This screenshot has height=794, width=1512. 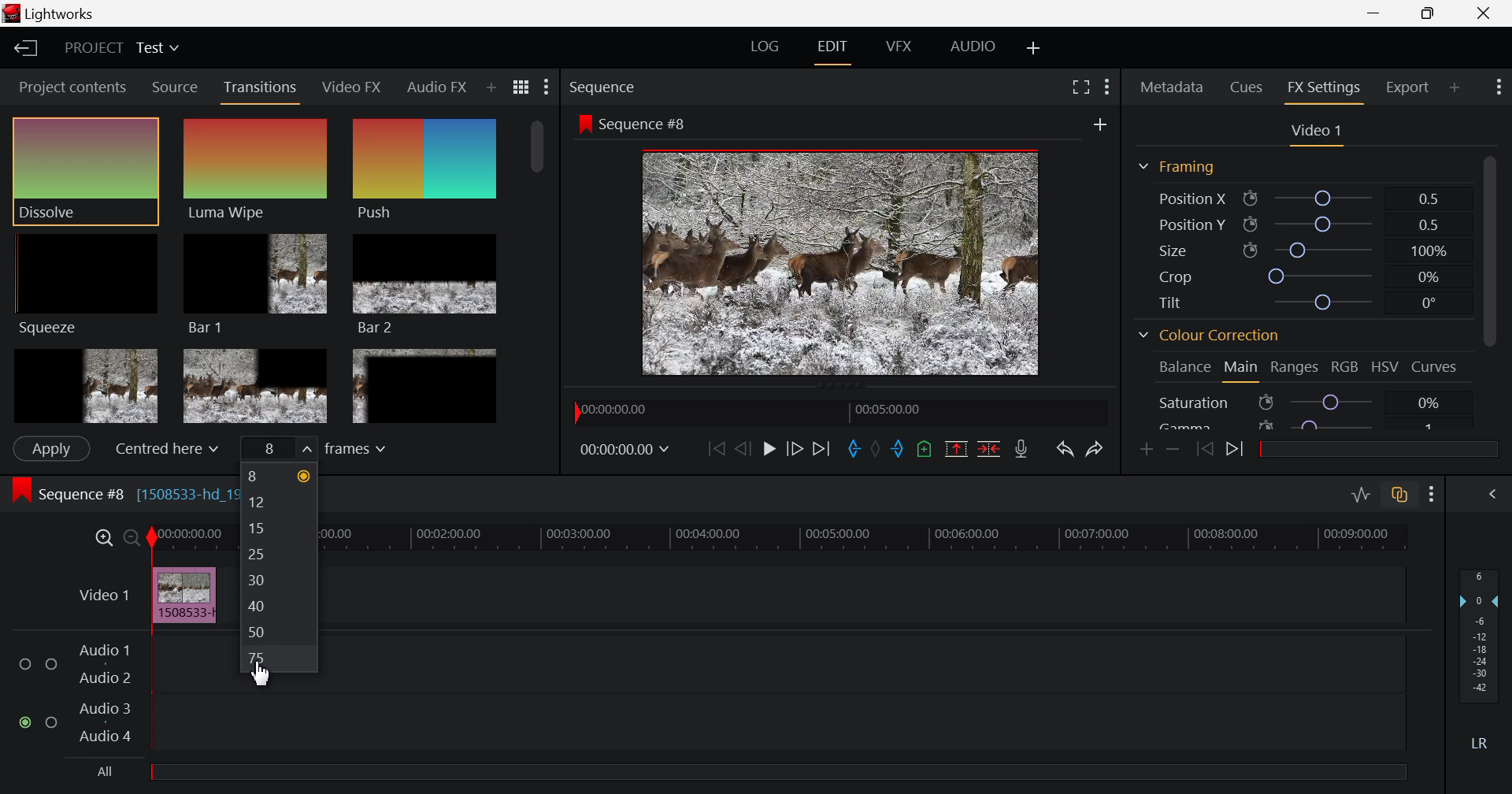 I want to click on Next keyframe, so click(x=1236, y=449).